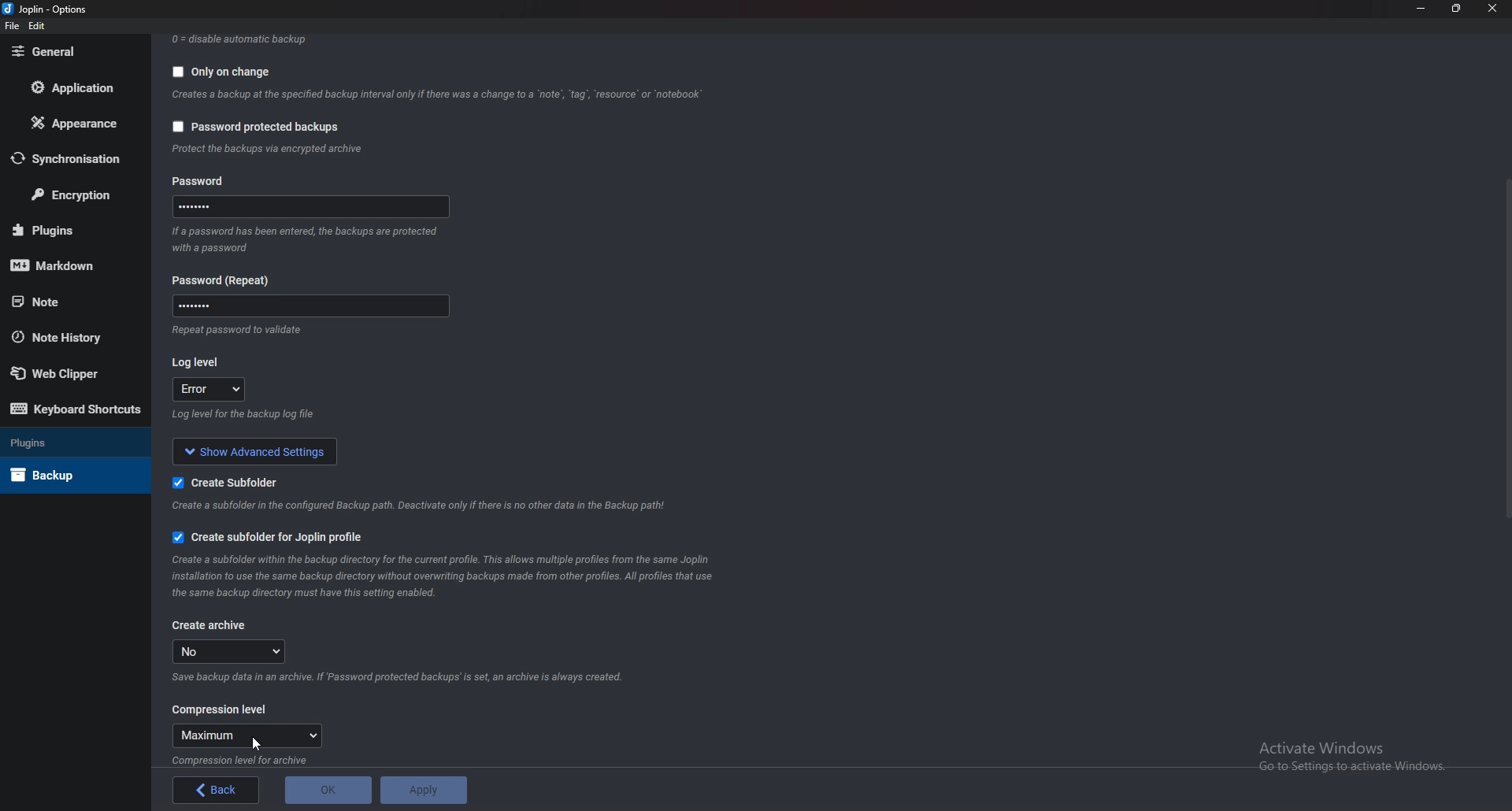  What do you see at coordinates (1491, 9) in the screenshot?
I see `close` at bounding box center [1491, 9].